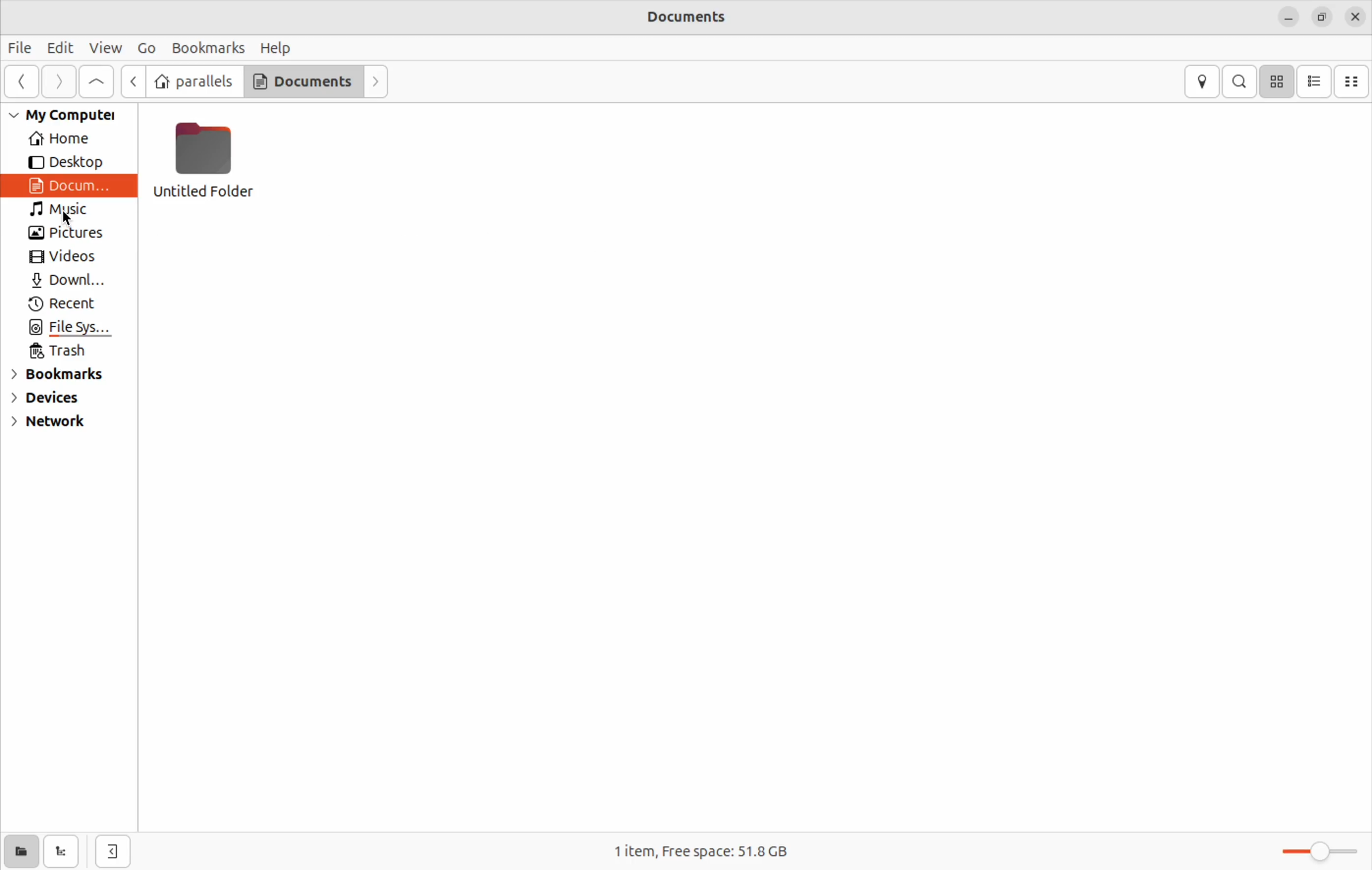  Describe the element at coordinates (193, 81) in the screenshot. I see `parallels` at that location.